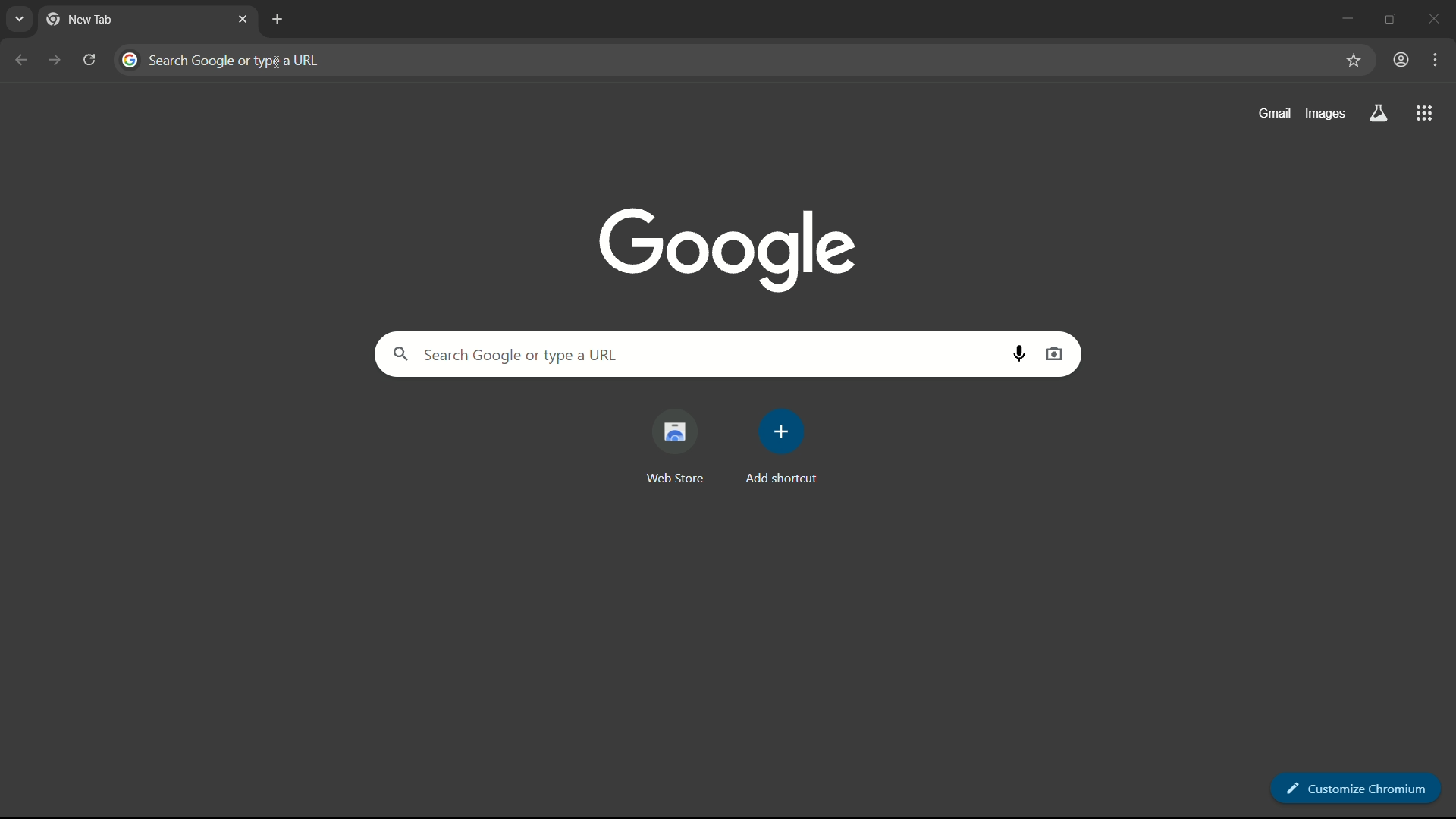  What do you see at coordinates (278, 20) in the screenshot?
I see `new tab` at bounding box center [278, 20].